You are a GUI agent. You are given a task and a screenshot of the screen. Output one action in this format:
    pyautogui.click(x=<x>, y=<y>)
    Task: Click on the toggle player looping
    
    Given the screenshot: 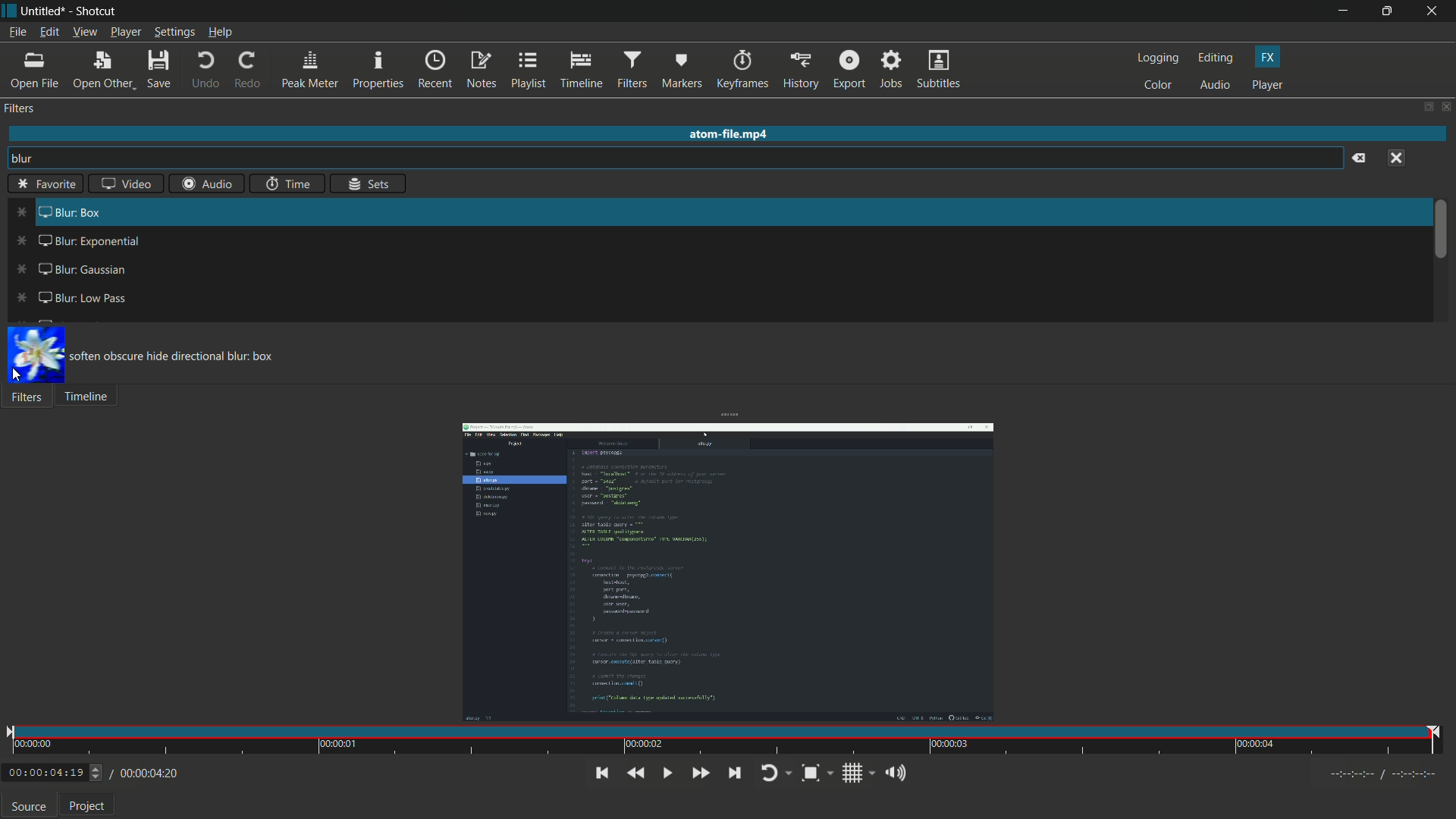 What is the action you would take?
    pyautogui.click(x=774, y=774)
    